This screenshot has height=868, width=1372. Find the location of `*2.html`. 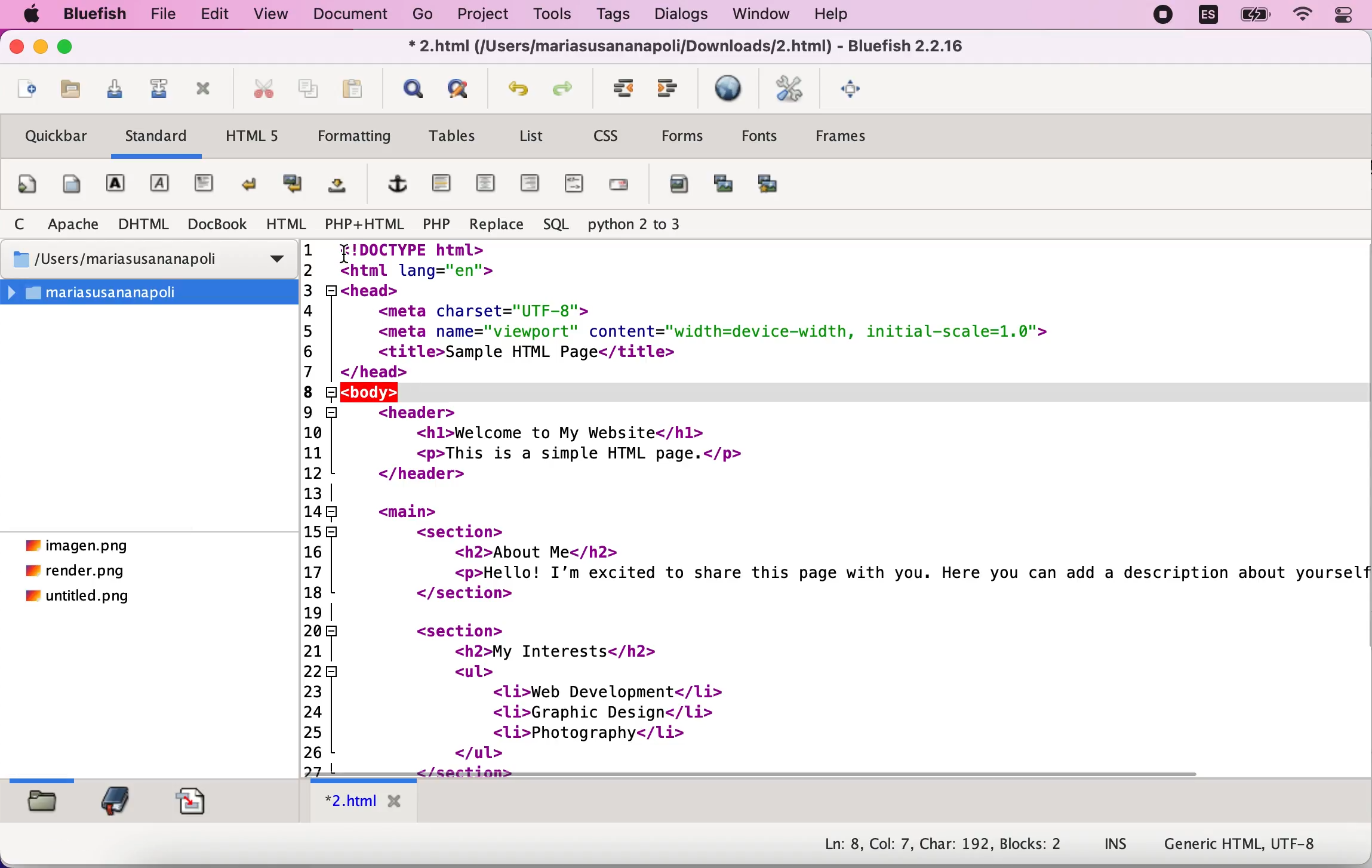

*2.html is located at coordinates (364, 804).